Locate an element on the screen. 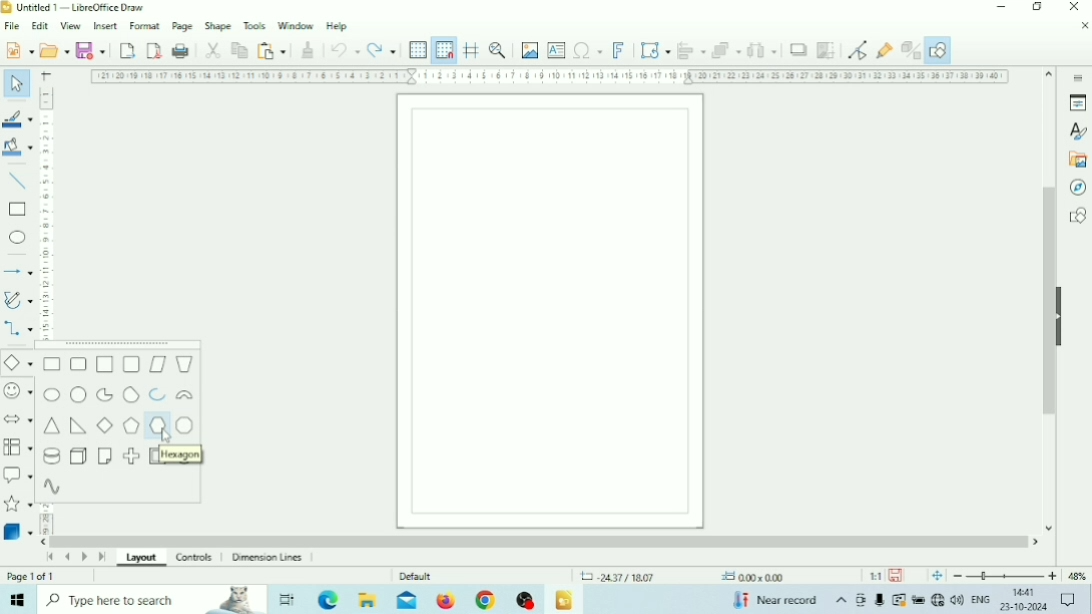 The image size is (1092, 614). Close Document is located at coordinates (1084, 25).